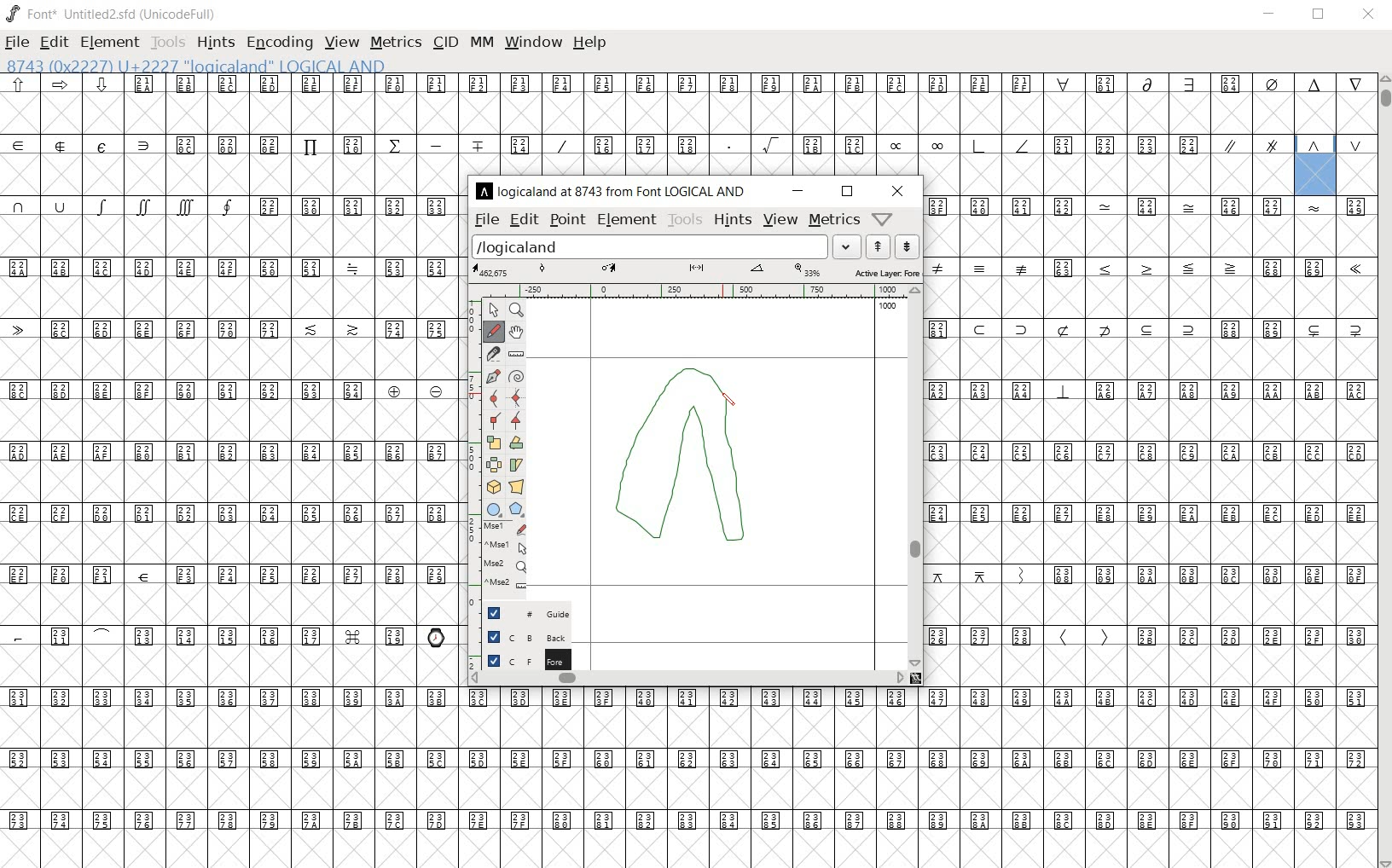 The height and width of the screenshot is (868, 1392). I want to click on draw a freehand curve, so click(492, 333).